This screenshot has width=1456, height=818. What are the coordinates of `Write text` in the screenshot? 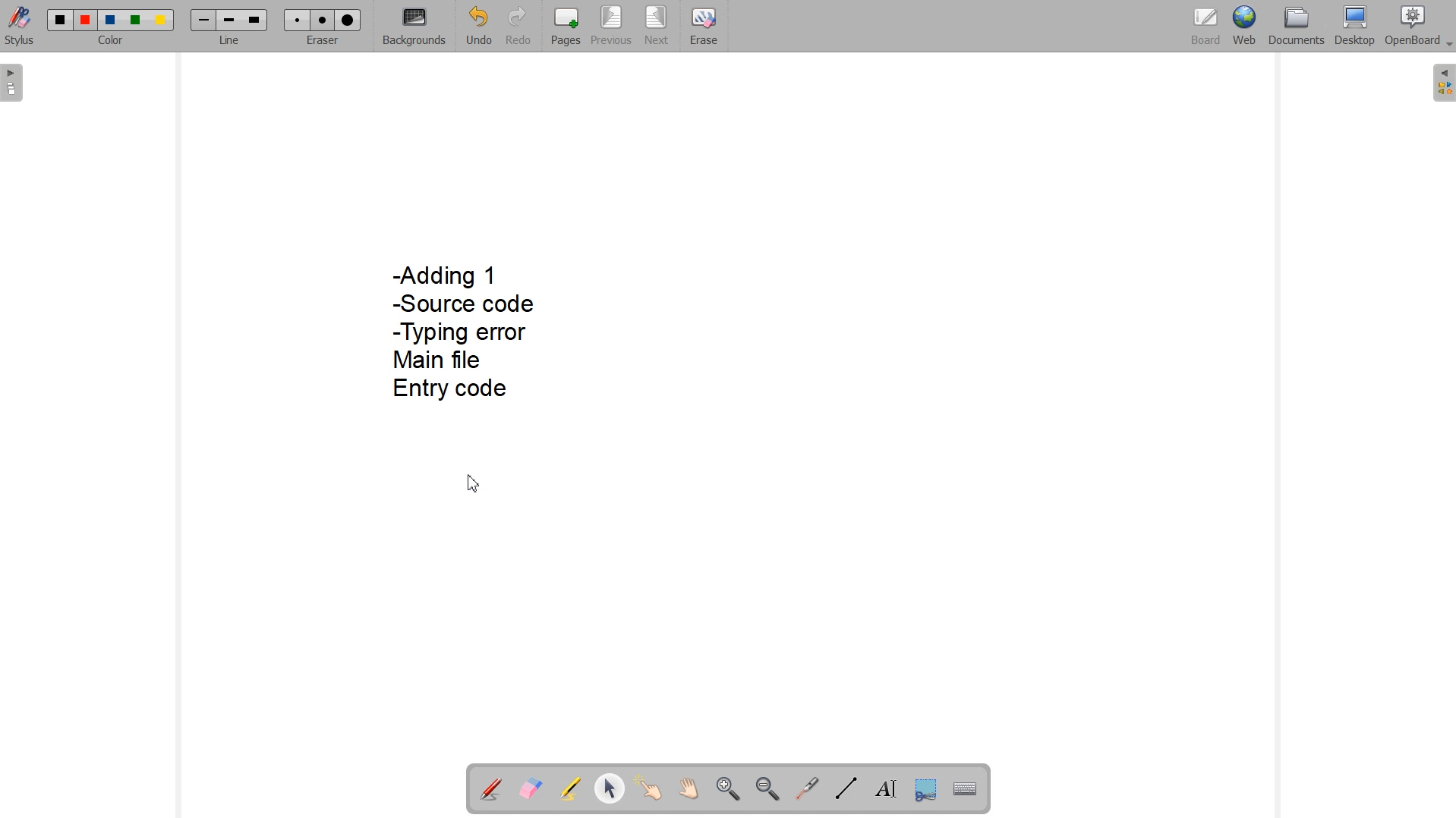 It's located at (886, 786).